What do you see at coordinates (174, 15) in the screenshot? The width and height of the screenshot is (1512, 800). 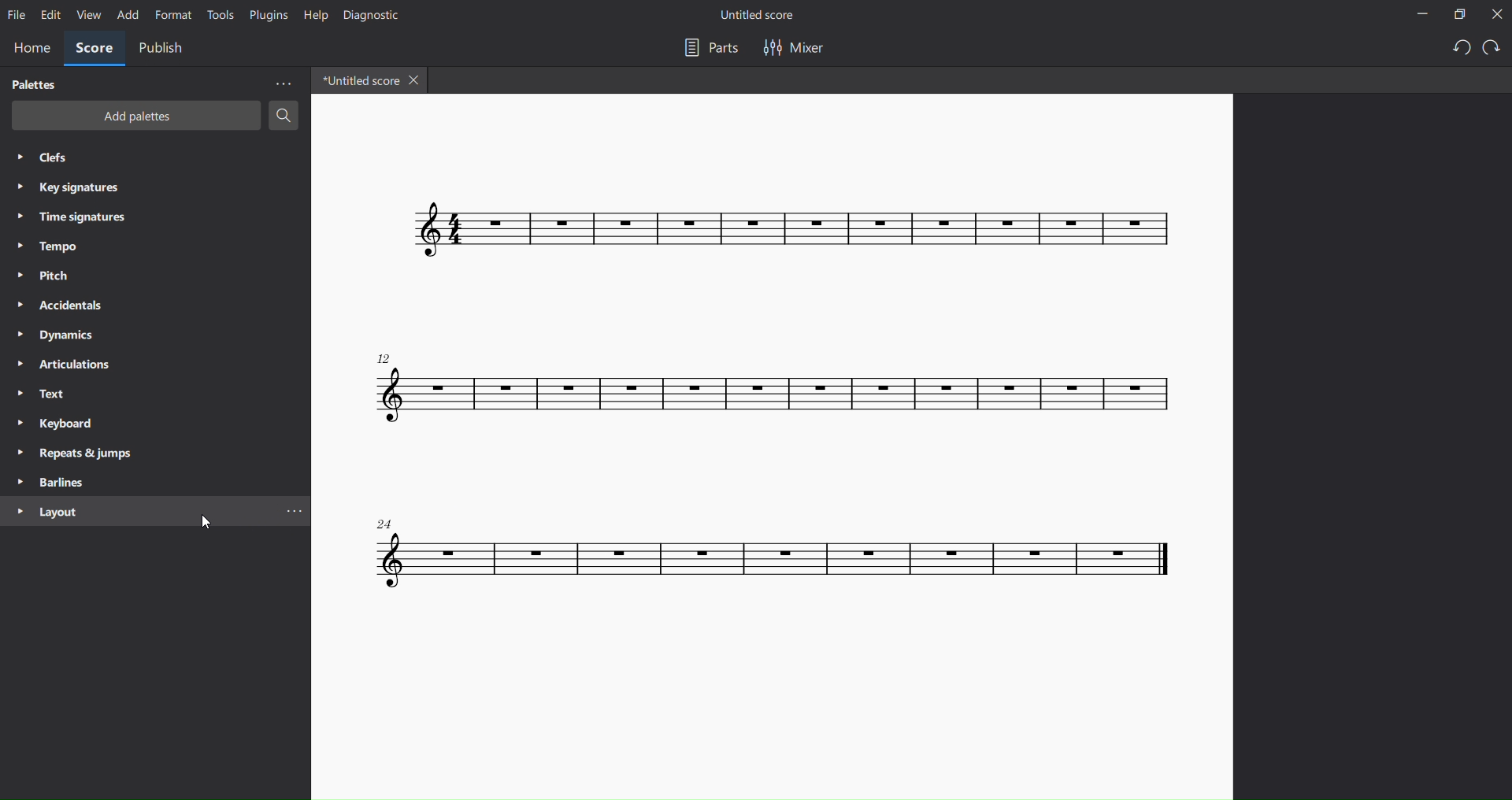 I see `format` at bounding box center [174, 15].